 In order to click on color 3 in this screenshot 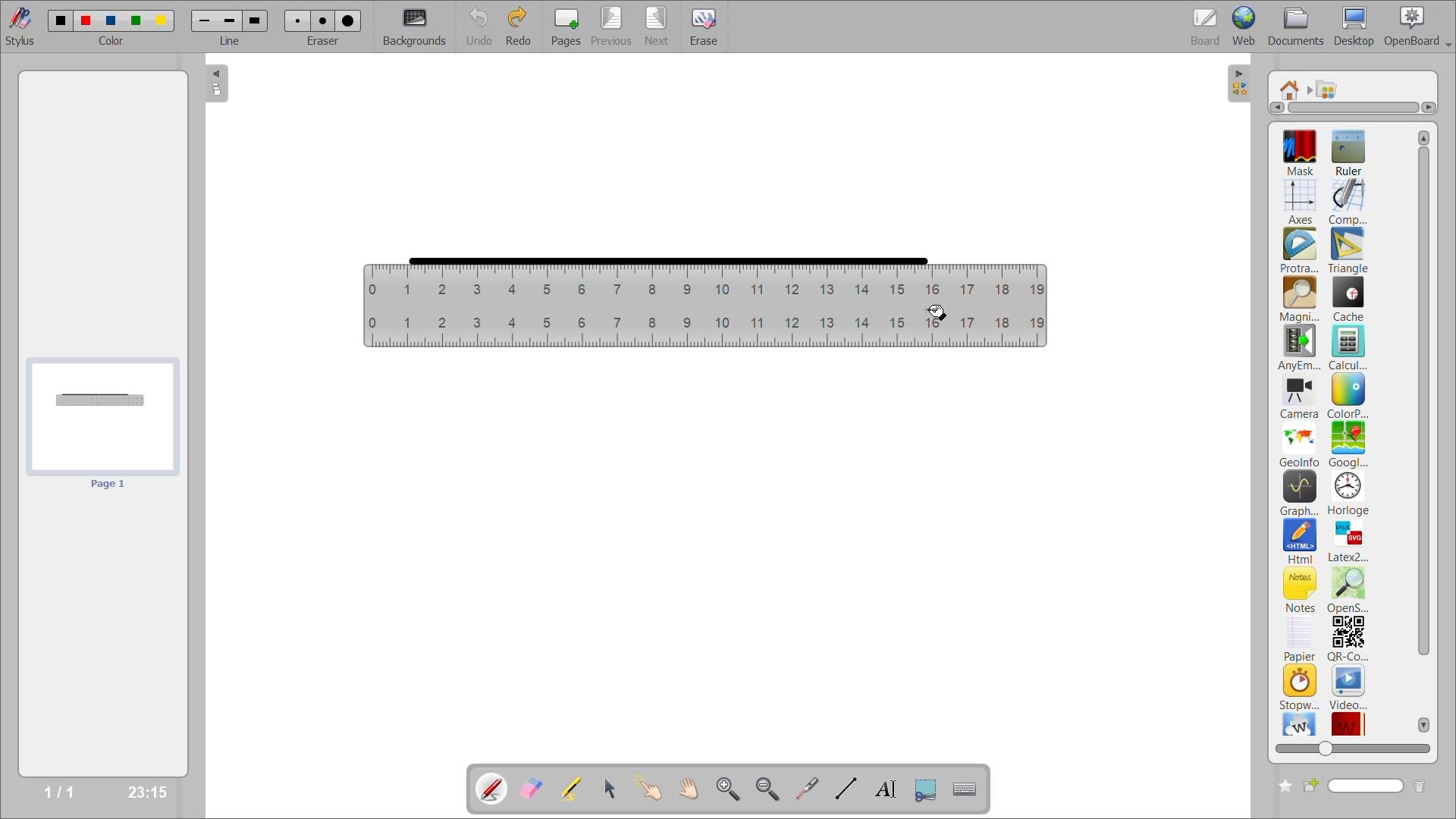, I will do `click(110, 20)`.